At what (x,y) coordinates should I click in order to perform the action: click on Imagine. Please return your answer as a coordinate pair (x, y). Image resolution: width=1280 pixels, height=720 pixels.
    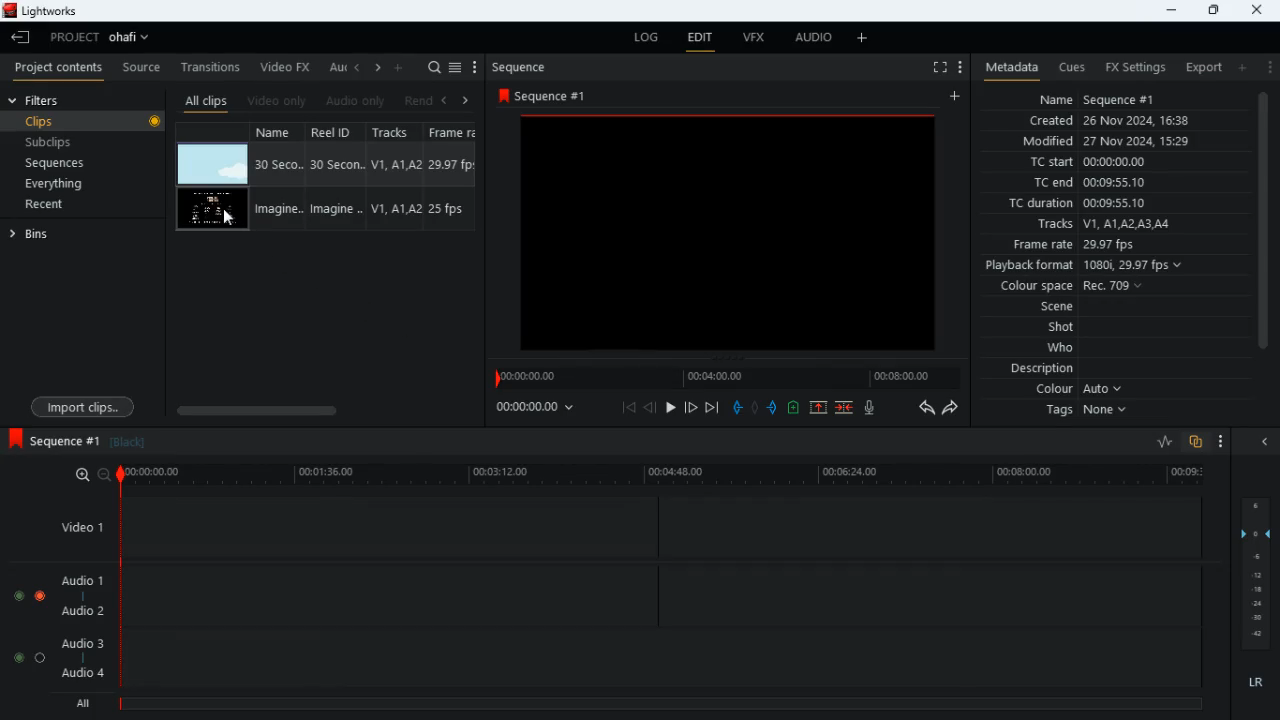
    Looking at the image, I should click on (282, 208).